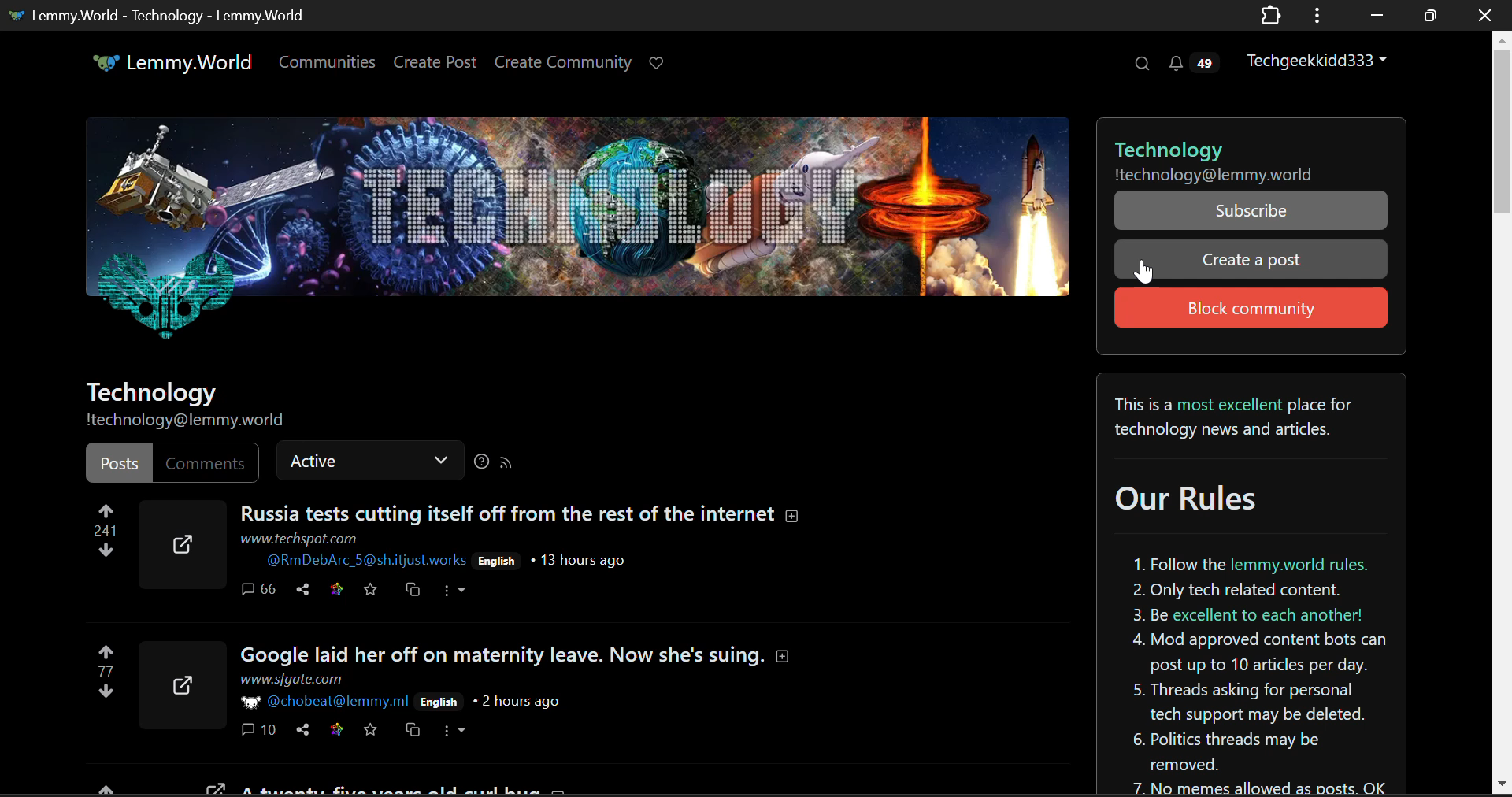  I want to click on Vertical Scroll Bar, so click(1503, 414).